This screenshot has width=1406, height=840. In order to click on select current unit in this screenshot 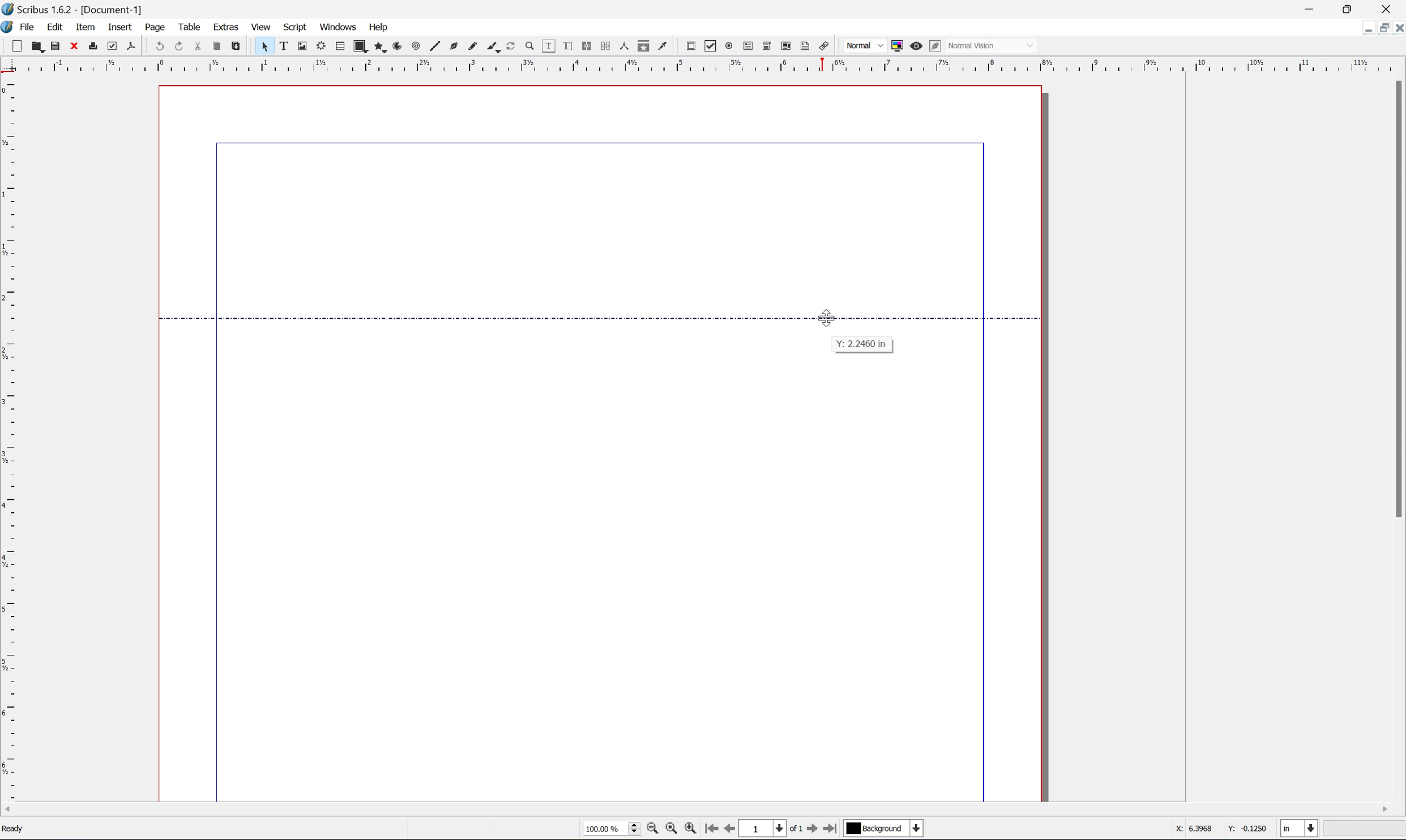, I will do `click(1300, 829)`.